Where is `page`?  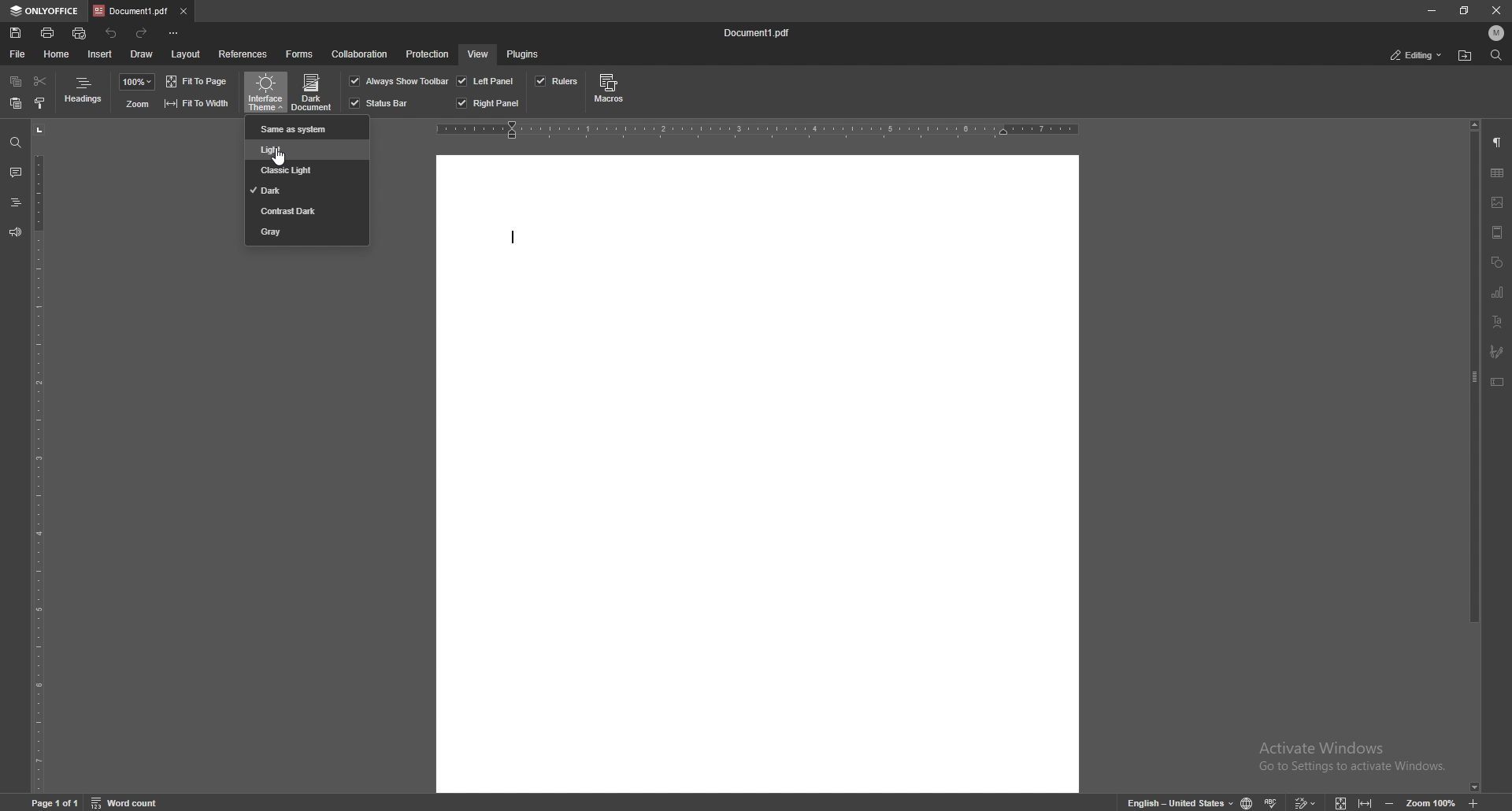 page is located at coordinates (57, 802).